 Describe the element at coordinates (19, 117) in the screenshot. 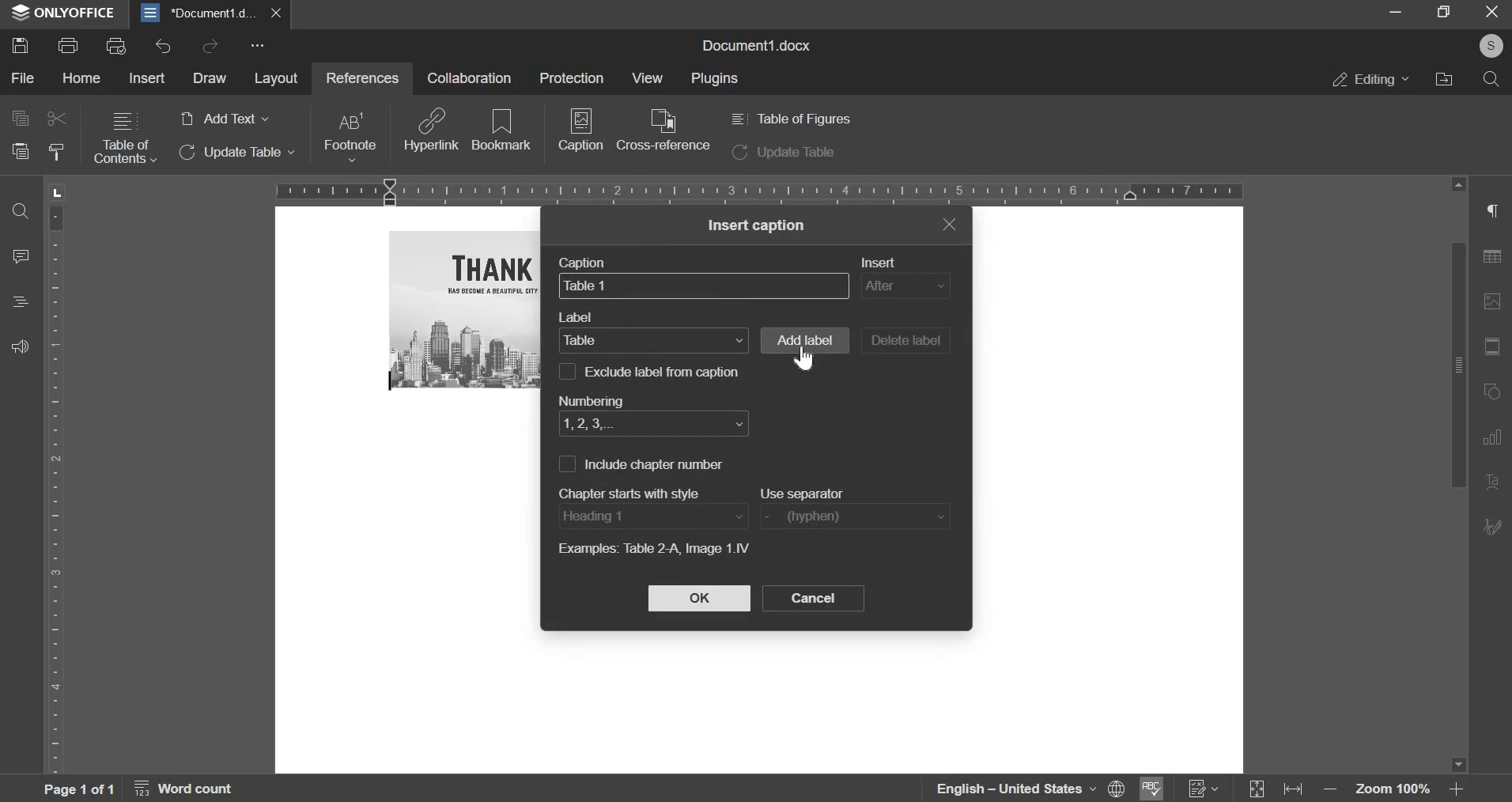

I see `copy` at that location.